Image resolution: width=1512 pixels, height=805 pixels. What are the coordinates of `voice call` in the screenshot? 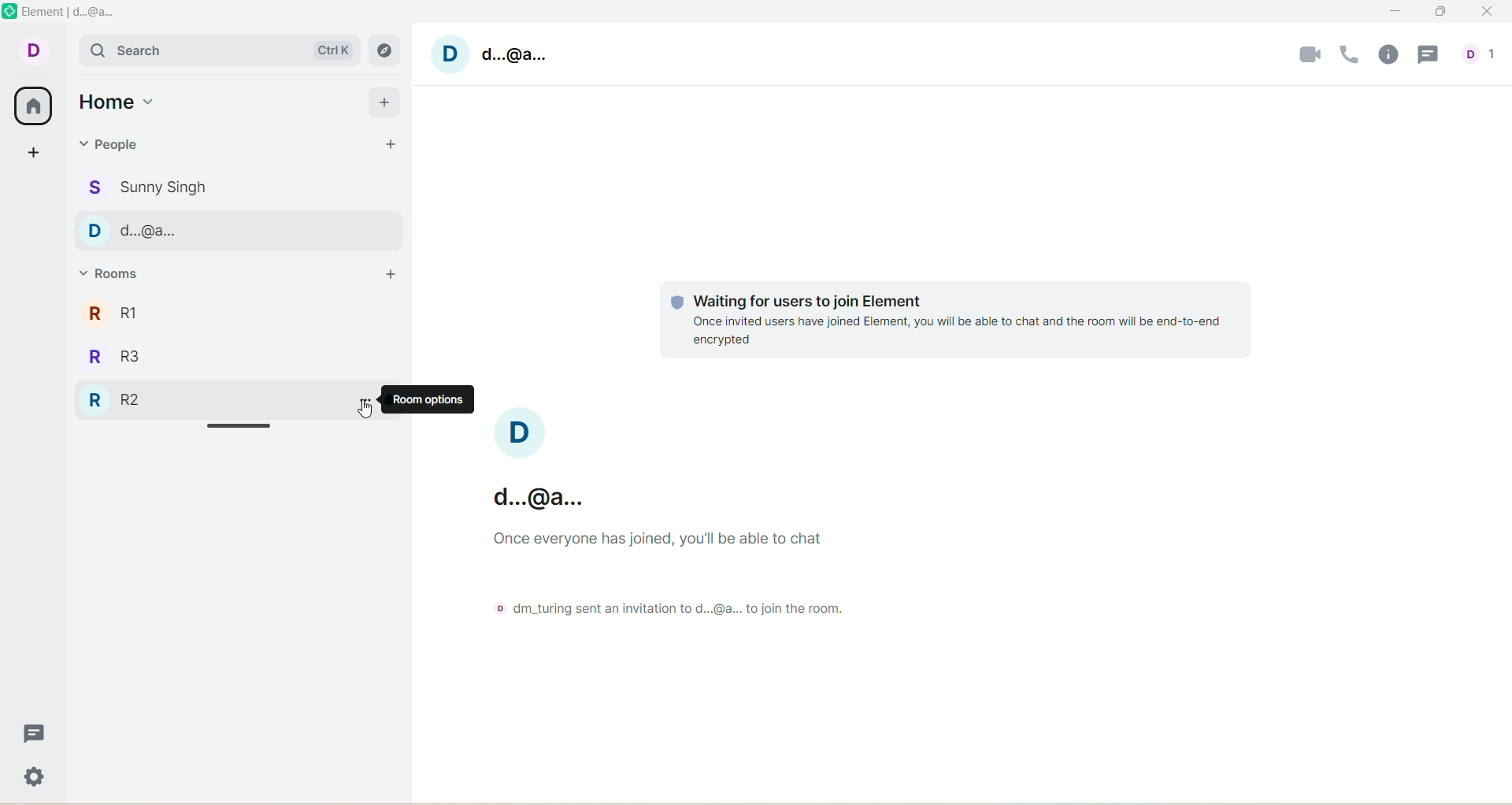 It's located at (1350, 54).